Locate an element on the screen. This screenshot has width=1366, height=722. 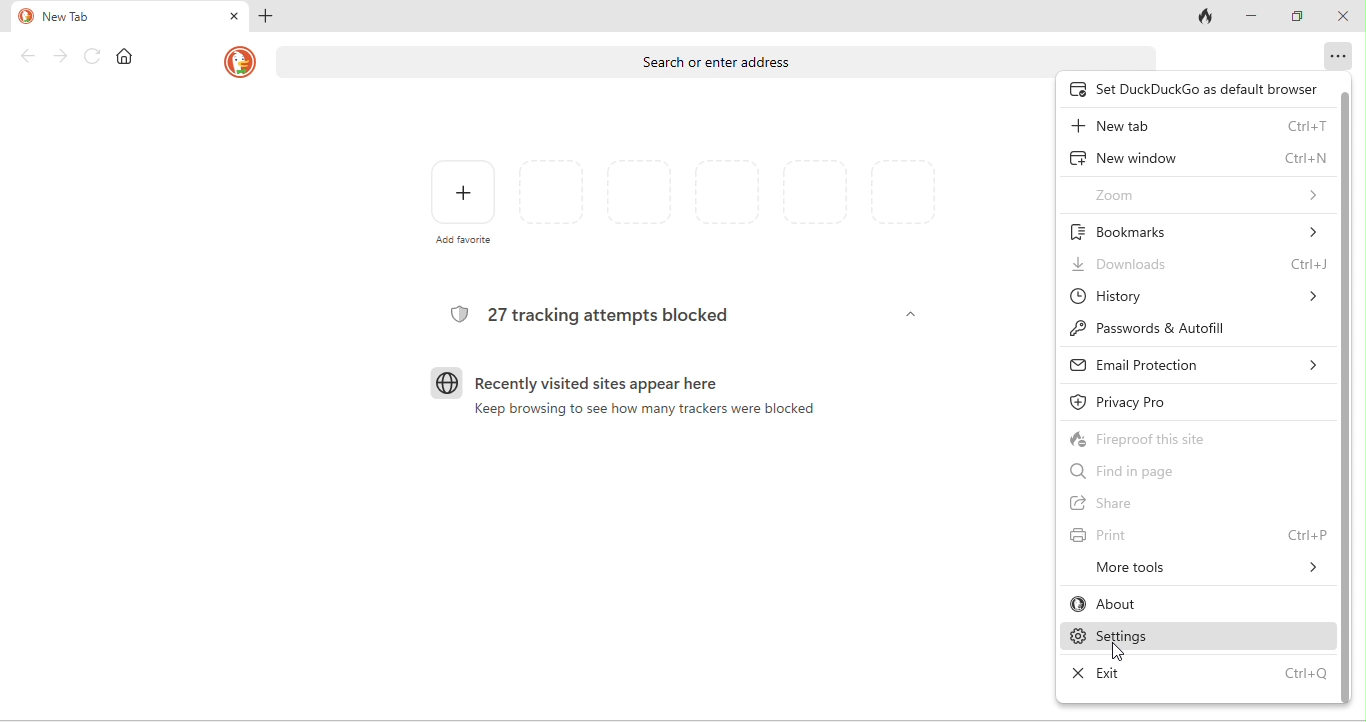
downloads is located at coordinates (1200, 266).